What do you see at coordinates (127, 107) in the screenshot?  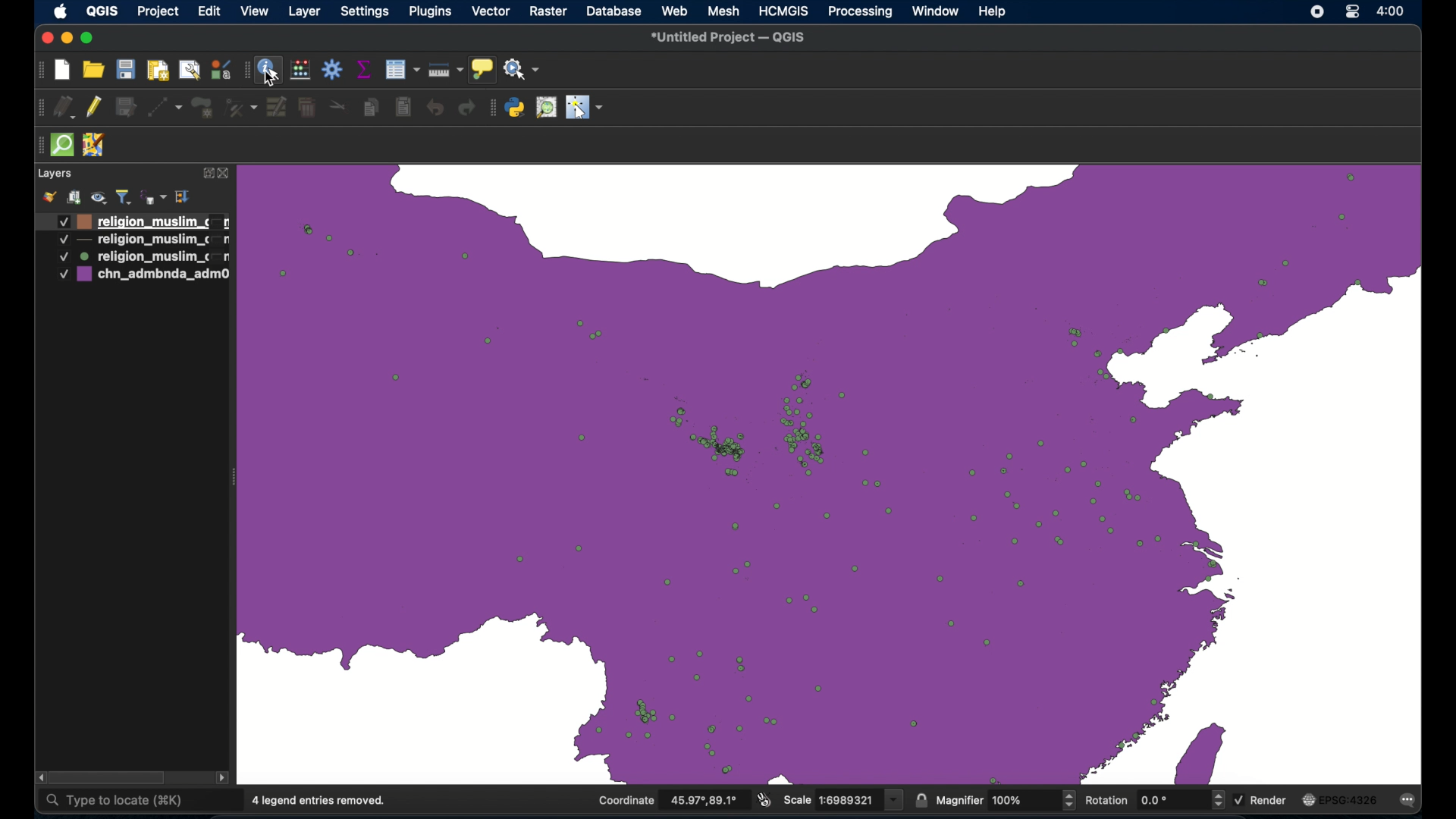 I see `save edits` at bounding box center [127, 107].